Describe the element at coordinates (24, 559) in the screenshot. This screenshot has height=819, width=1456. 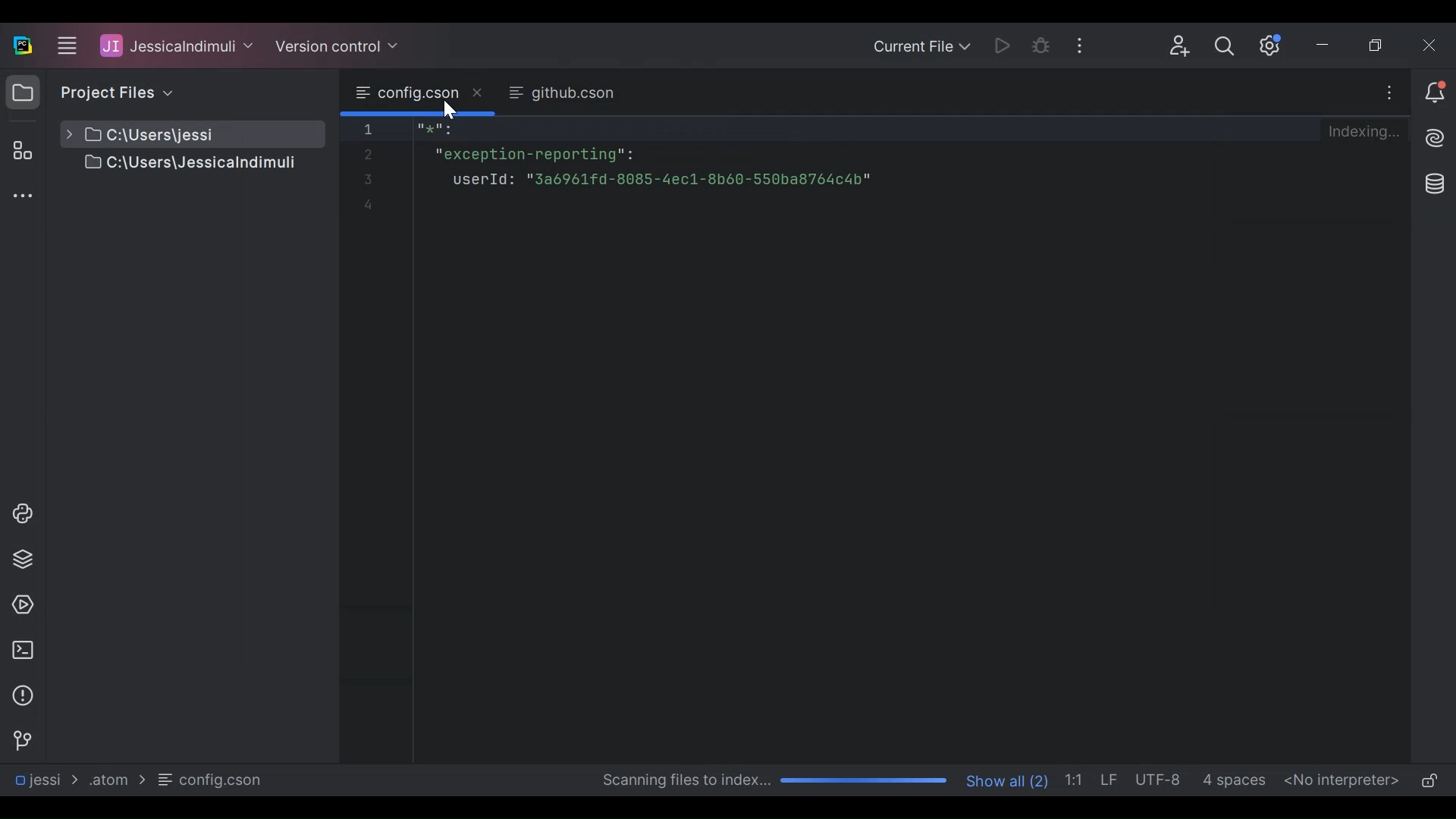
I see `Python` at that location.